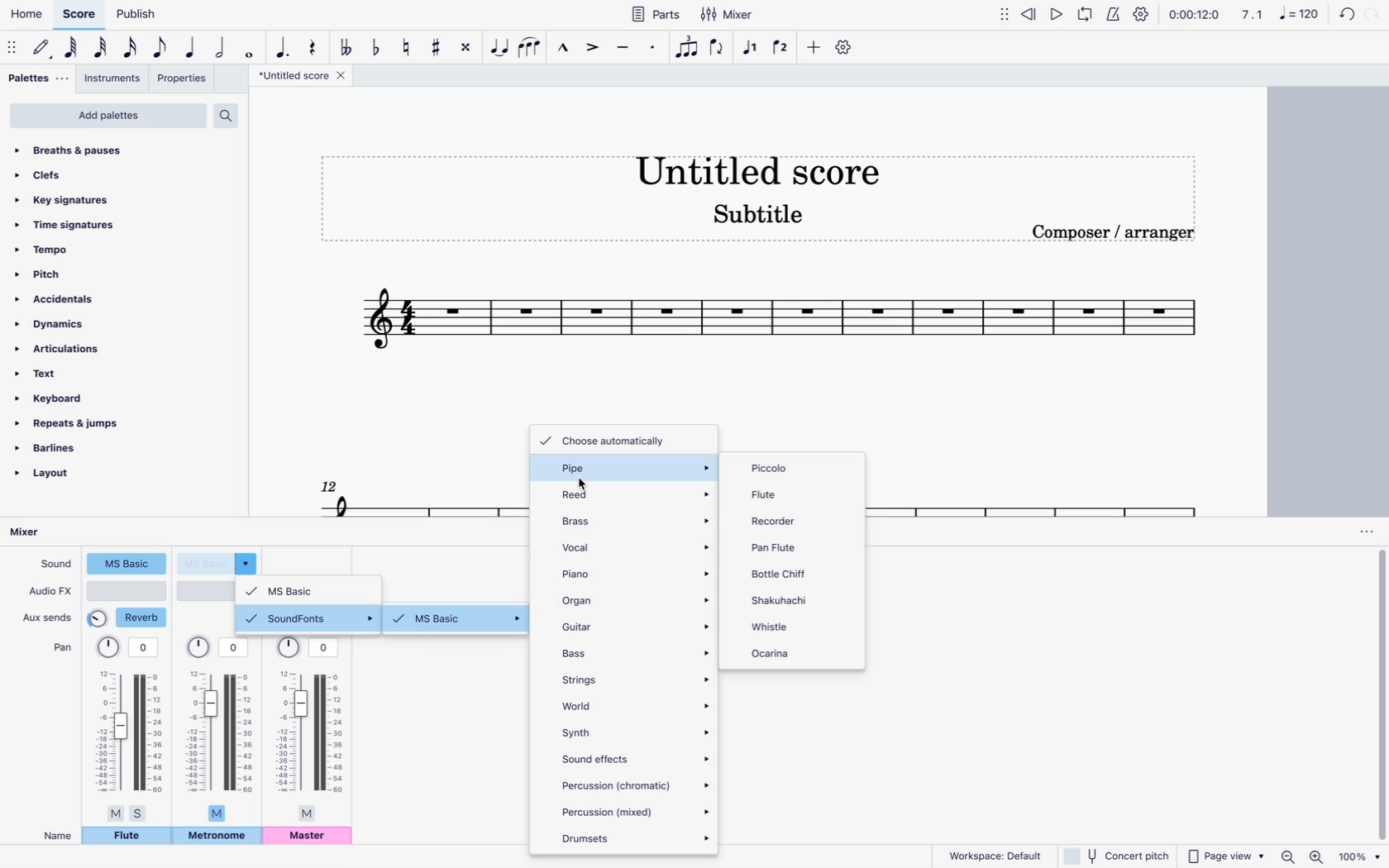 The image size is (1389, 868). What do you see at coordinates (779, 324) in the screenshot?
I see `score` at bounding box center [779, 324].